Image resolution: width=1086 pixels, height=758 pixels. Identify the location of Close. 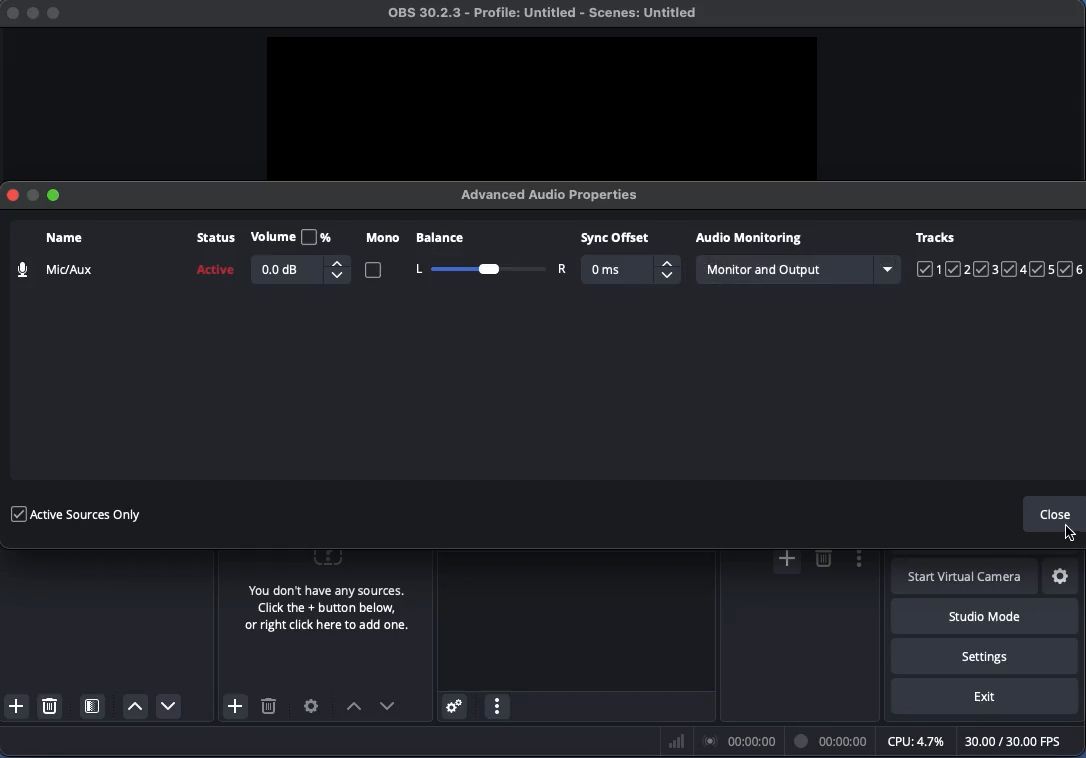
(1055, 513).